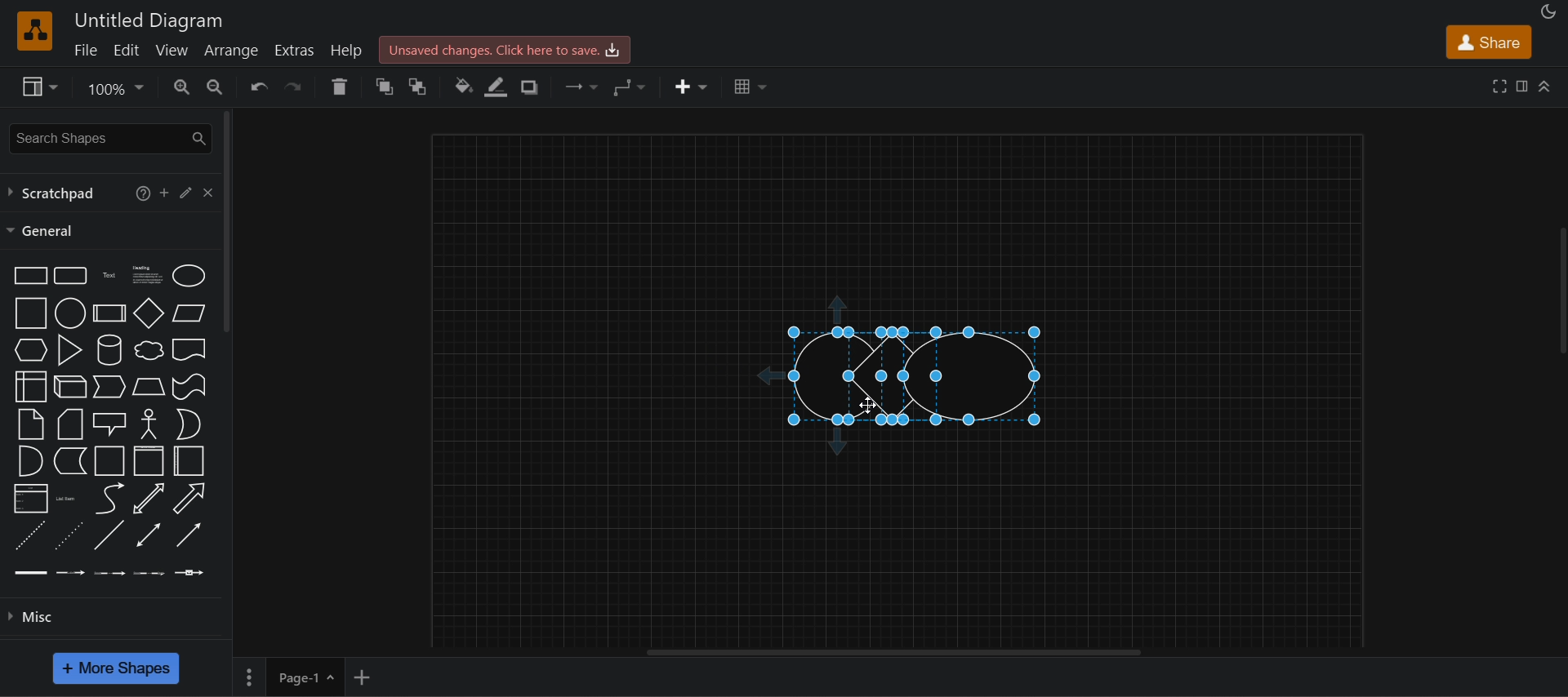  I want to click on dashed line, so click(28, 535).